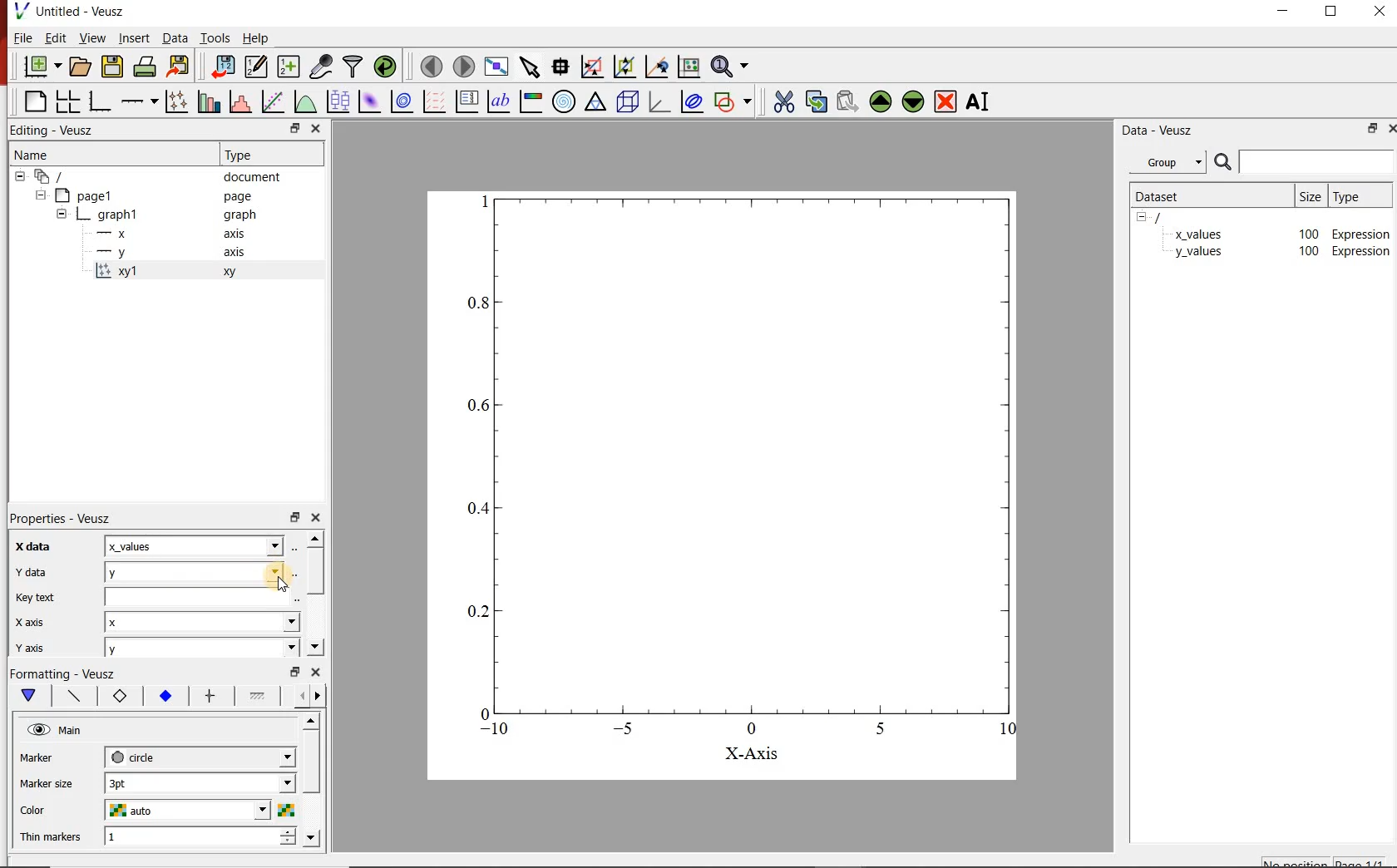 The image size is (1397, 868). What do you see at coordinates (622, 67) in the screenshot?
I see `click to zoom out on graph axes` at bounding box center [622, 67].